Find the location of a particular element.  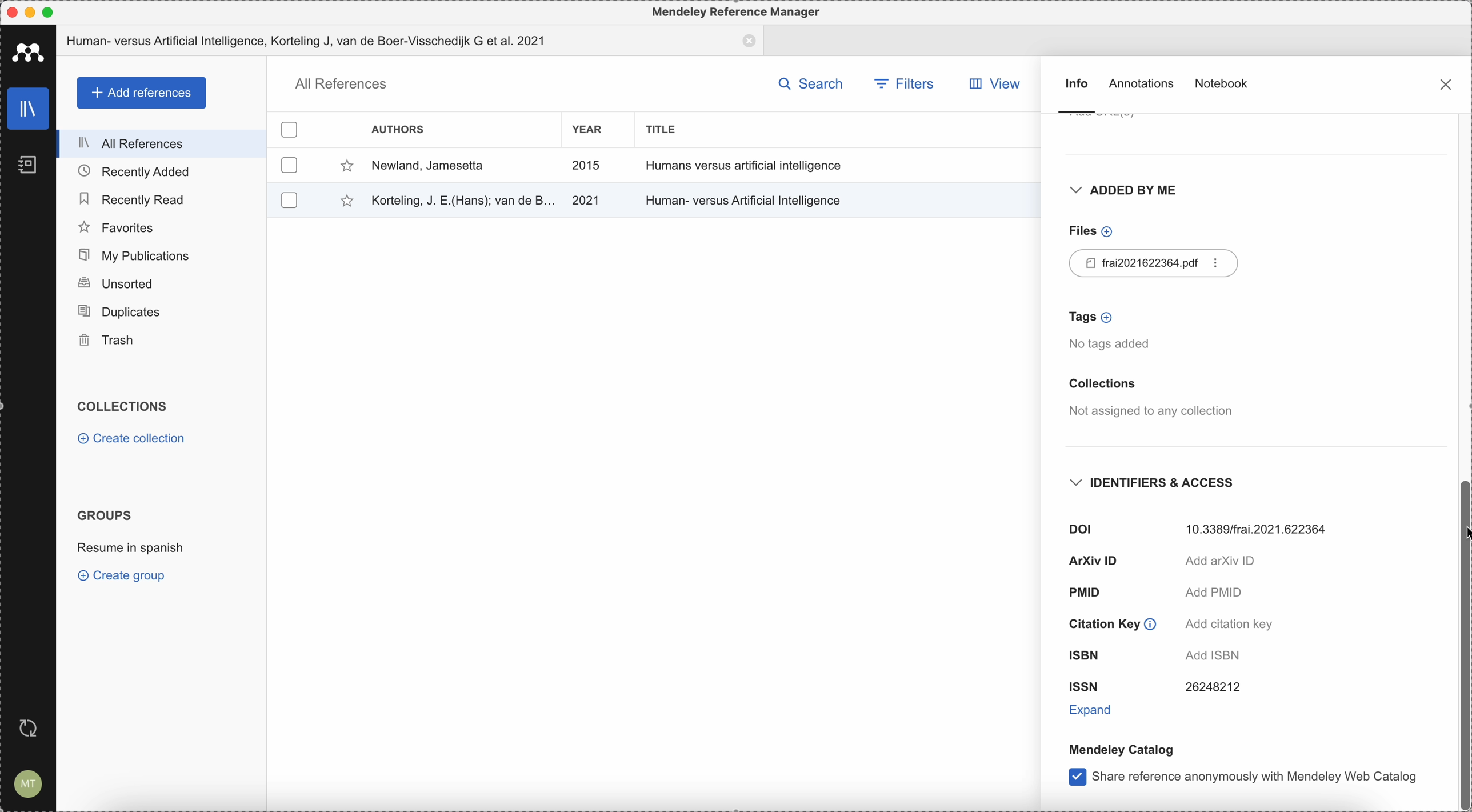

Humans versus artificial intelligence is located at coordinates (745, 165).